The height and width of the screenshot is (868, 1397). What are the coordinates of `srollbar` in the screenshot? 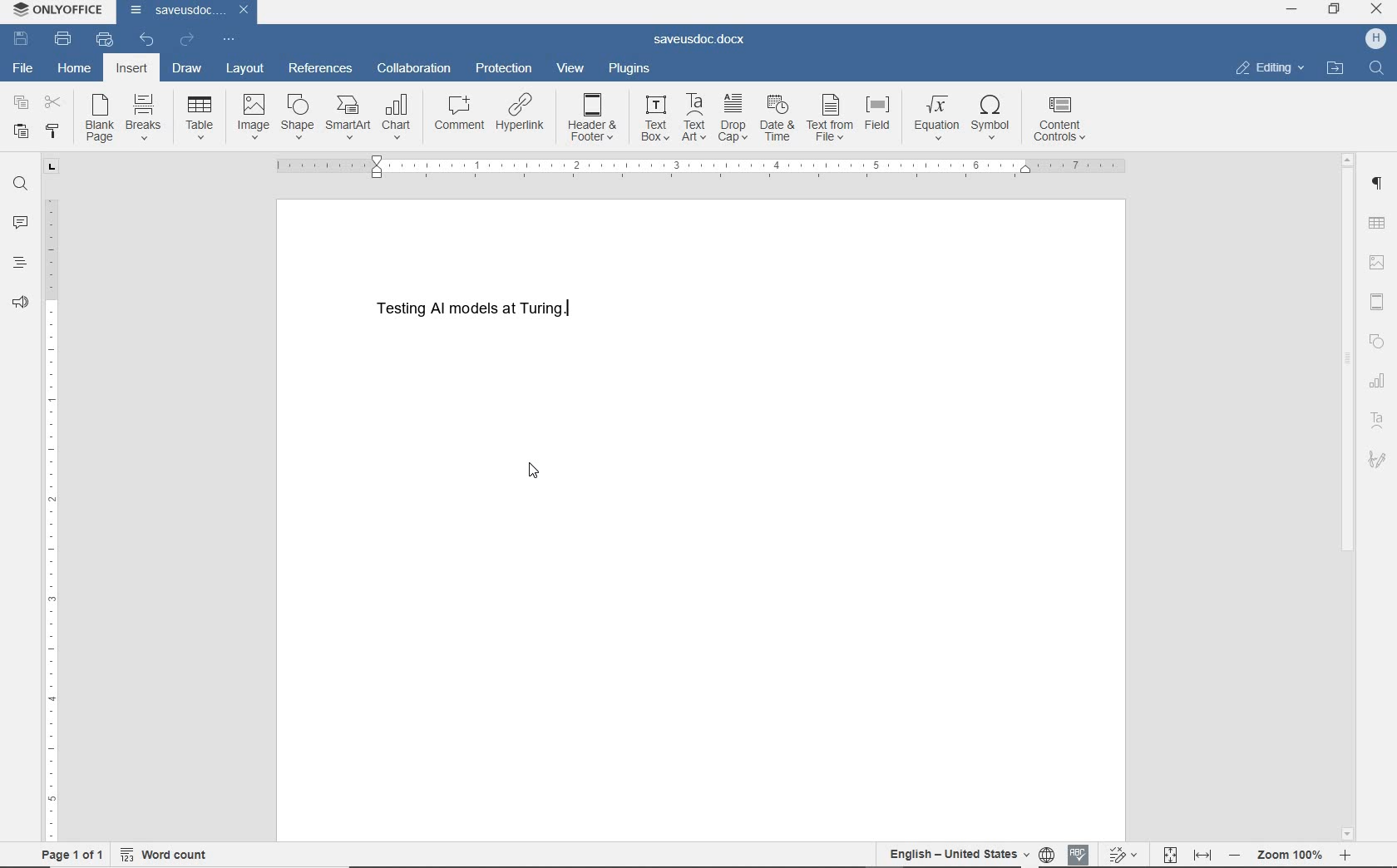 It's located at (1348, 362).